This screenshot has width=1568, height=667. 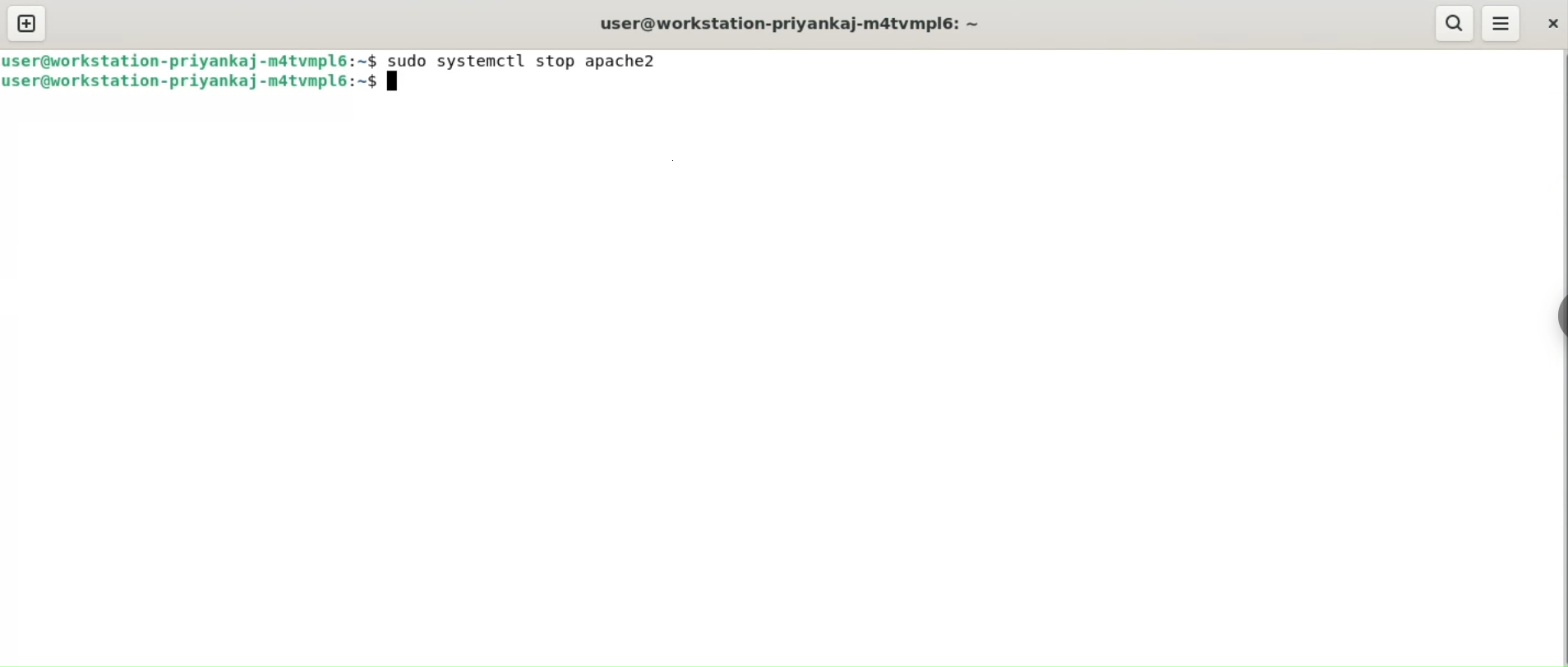 I want to click on search, so click(x=1454, y=23).